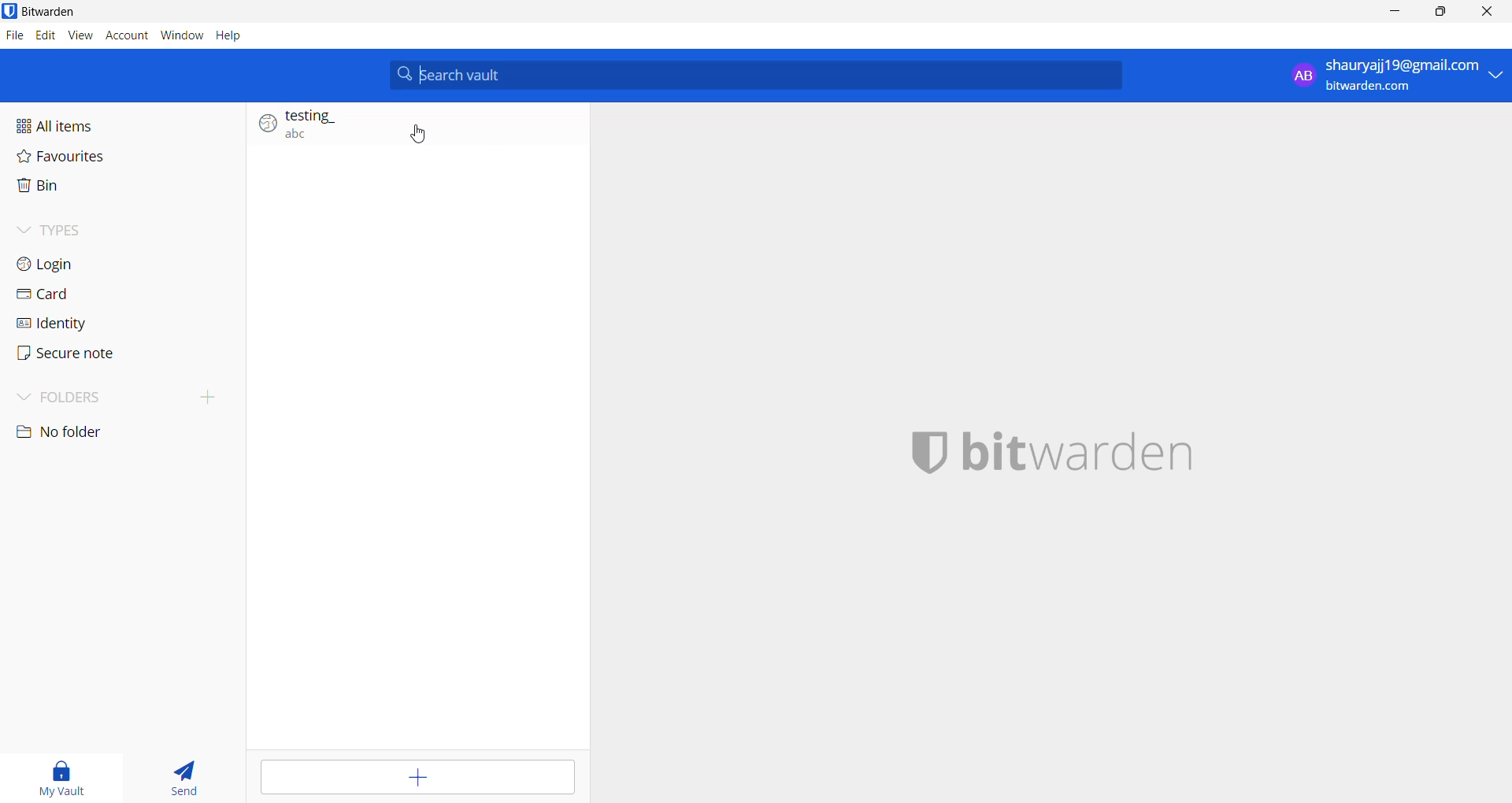 The height and width of the screenshot is (803, 1512). What do you see at coordinates (757, 76) in the screenshot?
I see `Search bar` at bounding box center [757, 76].